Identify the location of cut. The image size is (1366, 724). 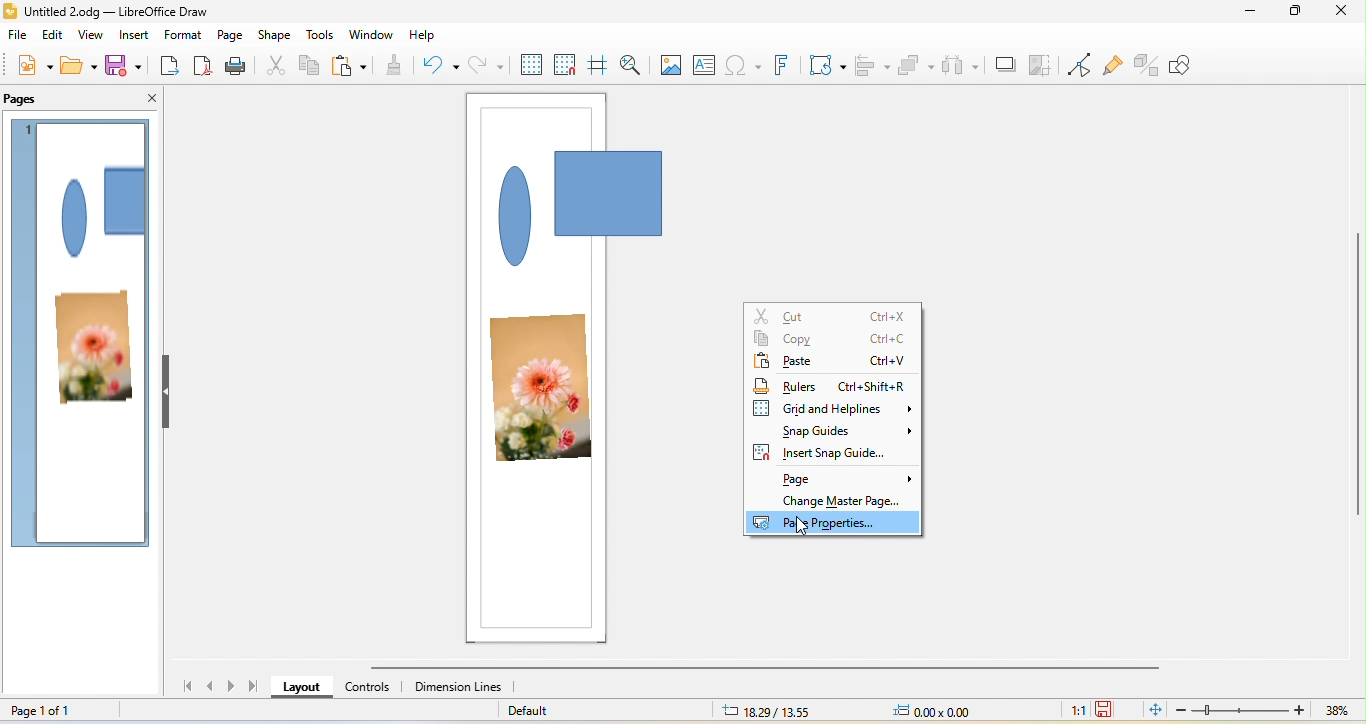
(279, 68).